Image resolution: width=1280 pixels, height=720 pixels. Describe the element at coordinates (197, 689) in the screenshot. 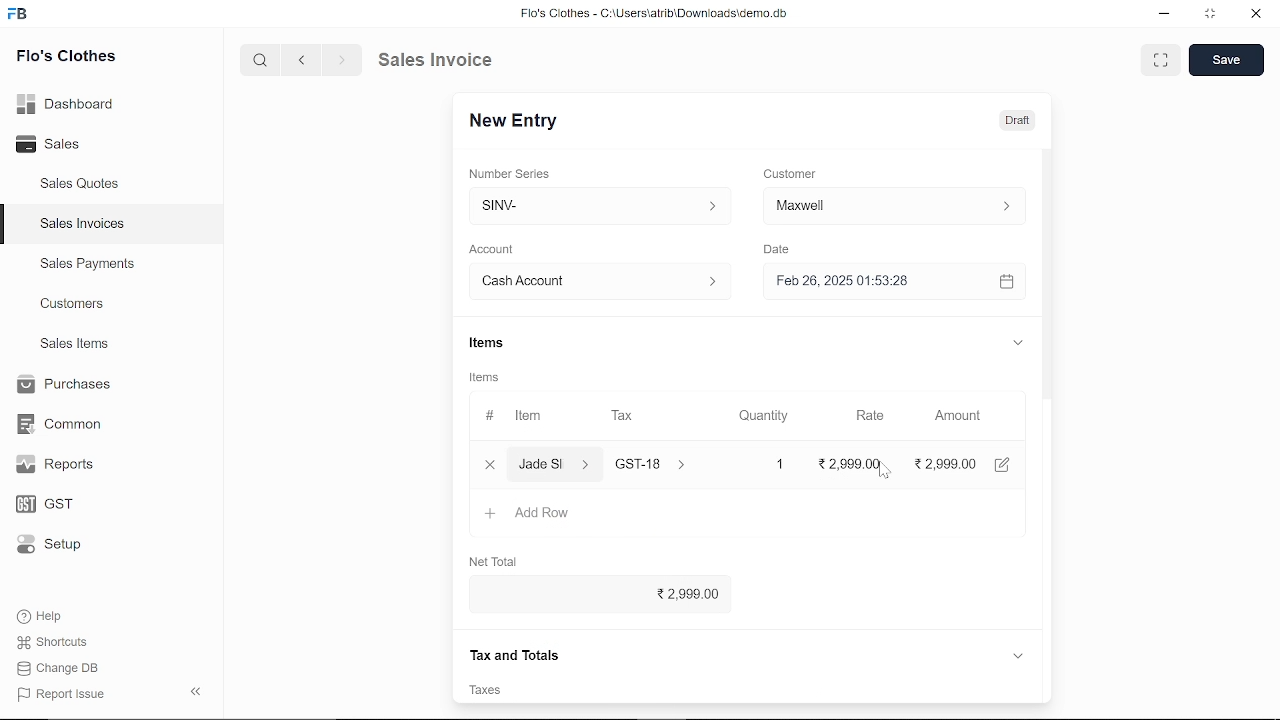

I see `hide` at that location.